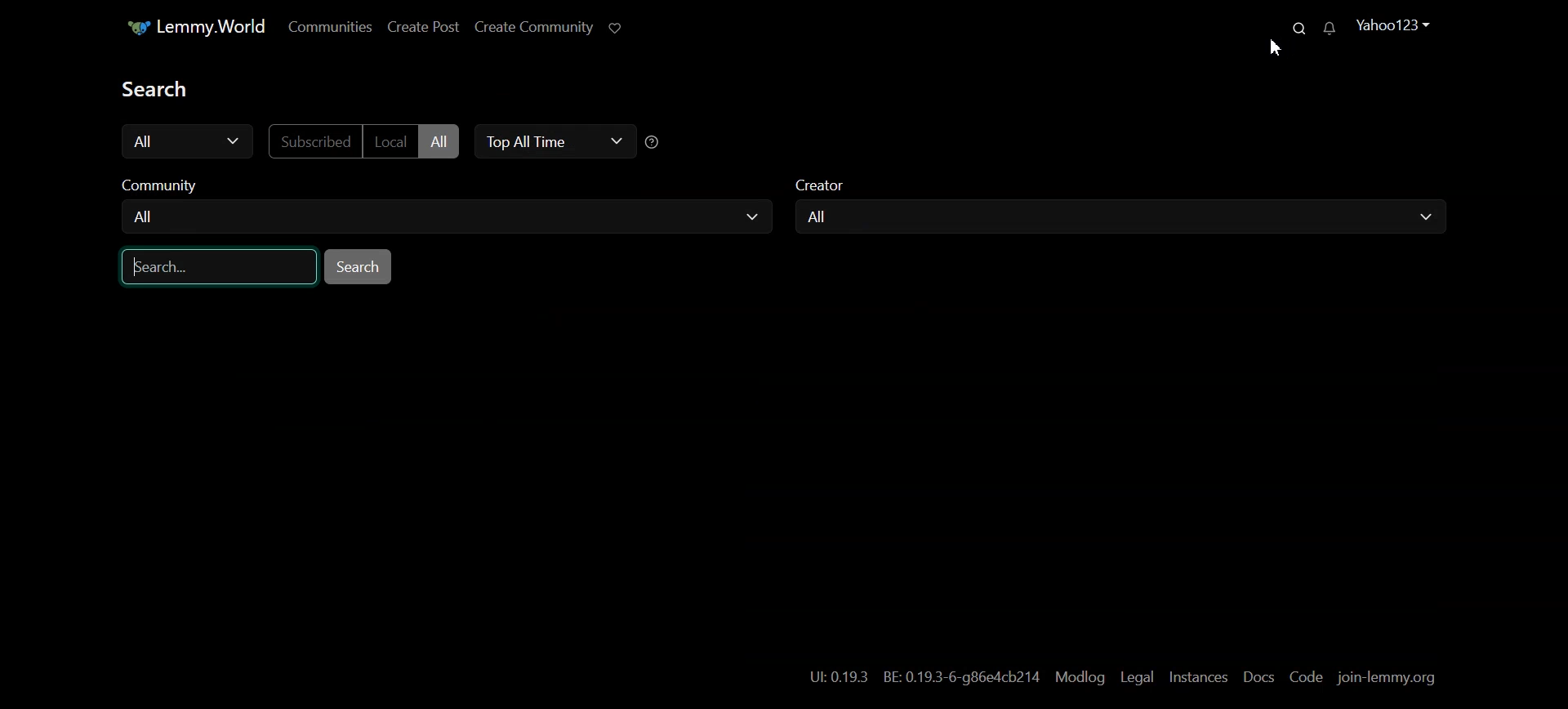  Describe the element at coordinates (424, 27) in the screenshot. I see `Create Post` at that location.